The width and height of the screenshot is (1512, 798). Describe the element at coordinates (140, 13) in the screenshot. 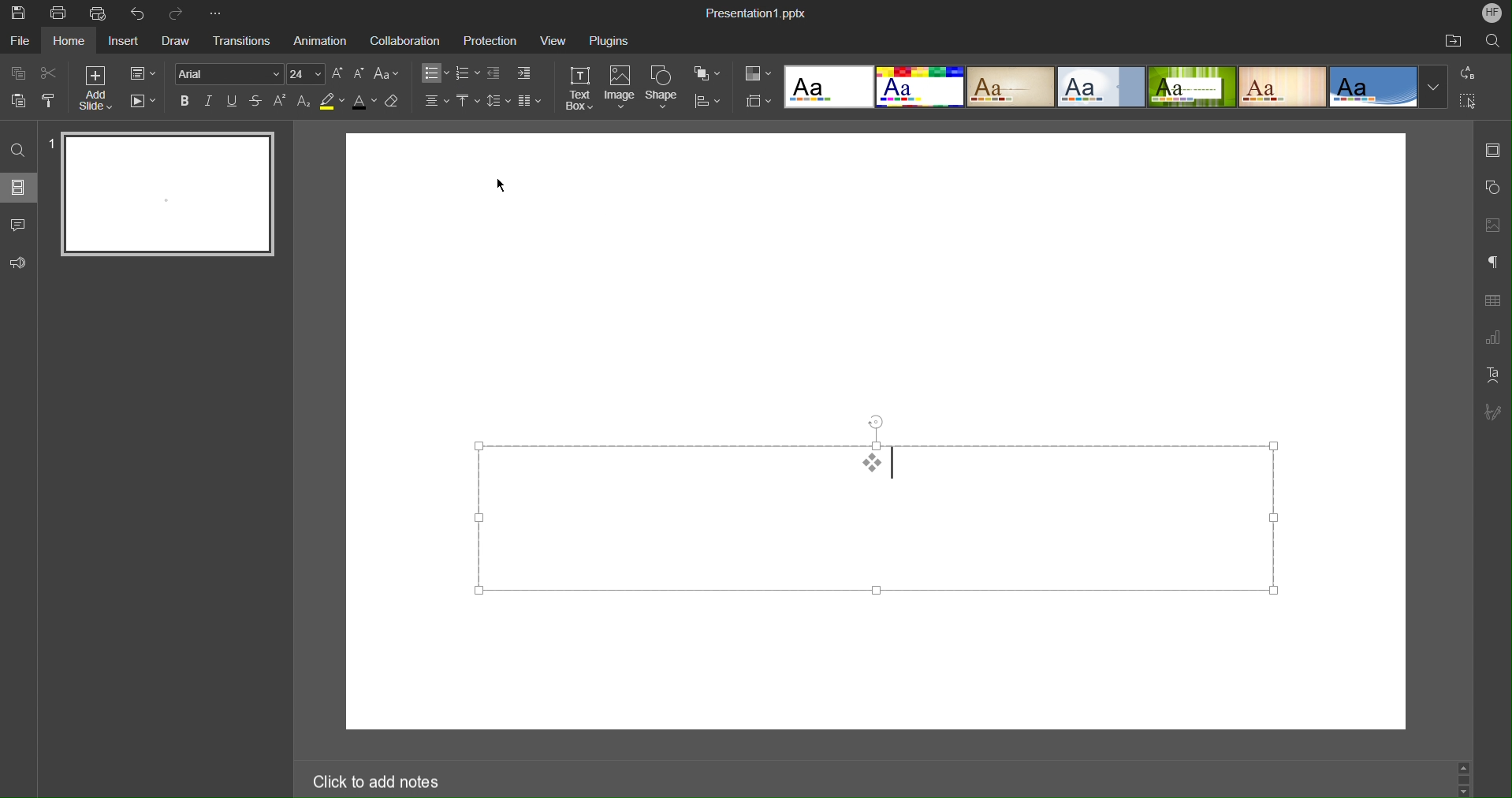

I see `Undo ` at that location.